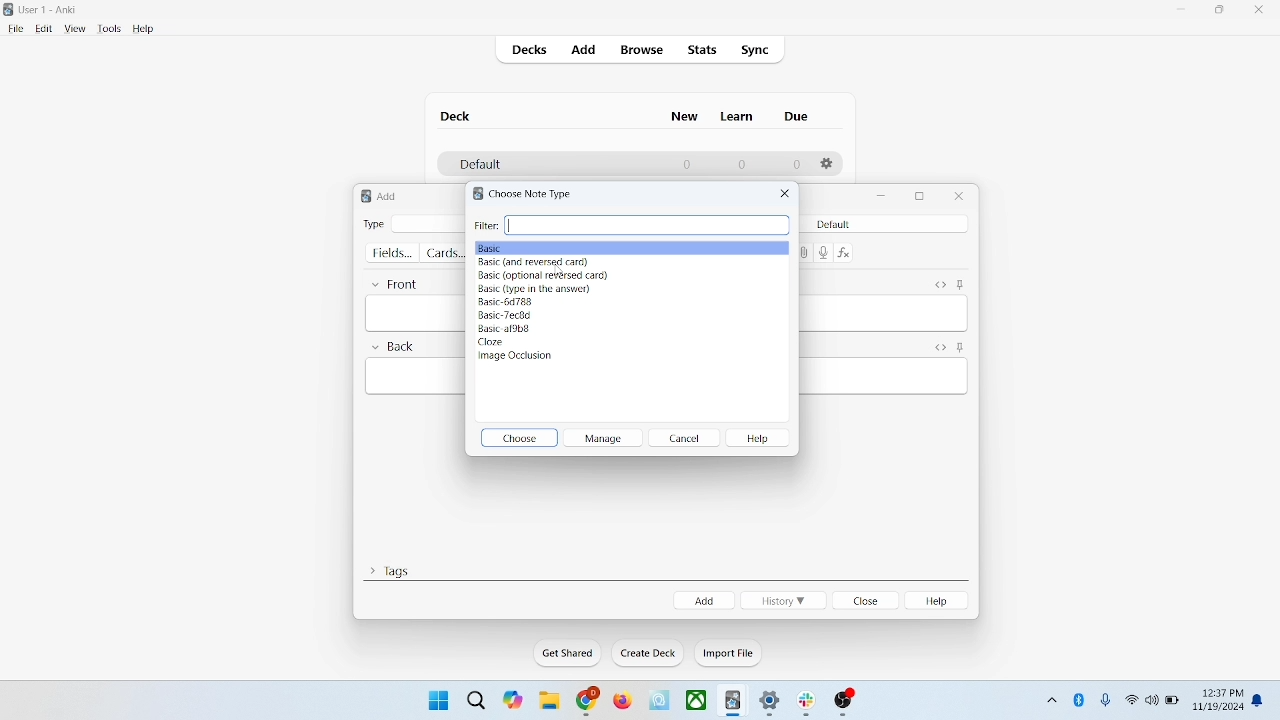  What do you see at coordinates (1260, 701) in the screenshot?
I see `notification` at bounding box center [1260, 701].